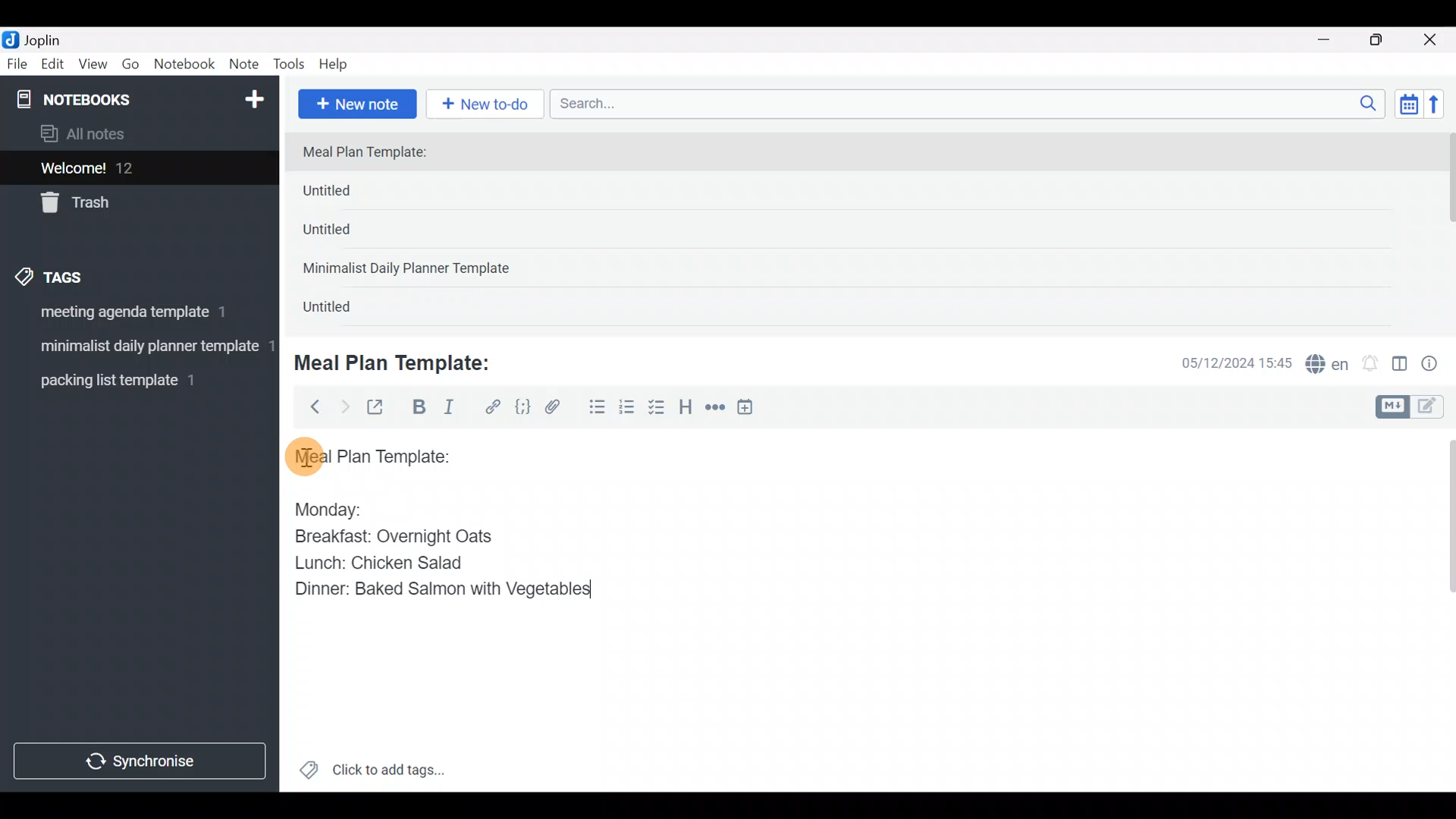 Image resolution: width=1456 pixels, height=819 pixels. Describe the element at coordinates (53, 67) in the screenshot. I see `Edit` at that location.